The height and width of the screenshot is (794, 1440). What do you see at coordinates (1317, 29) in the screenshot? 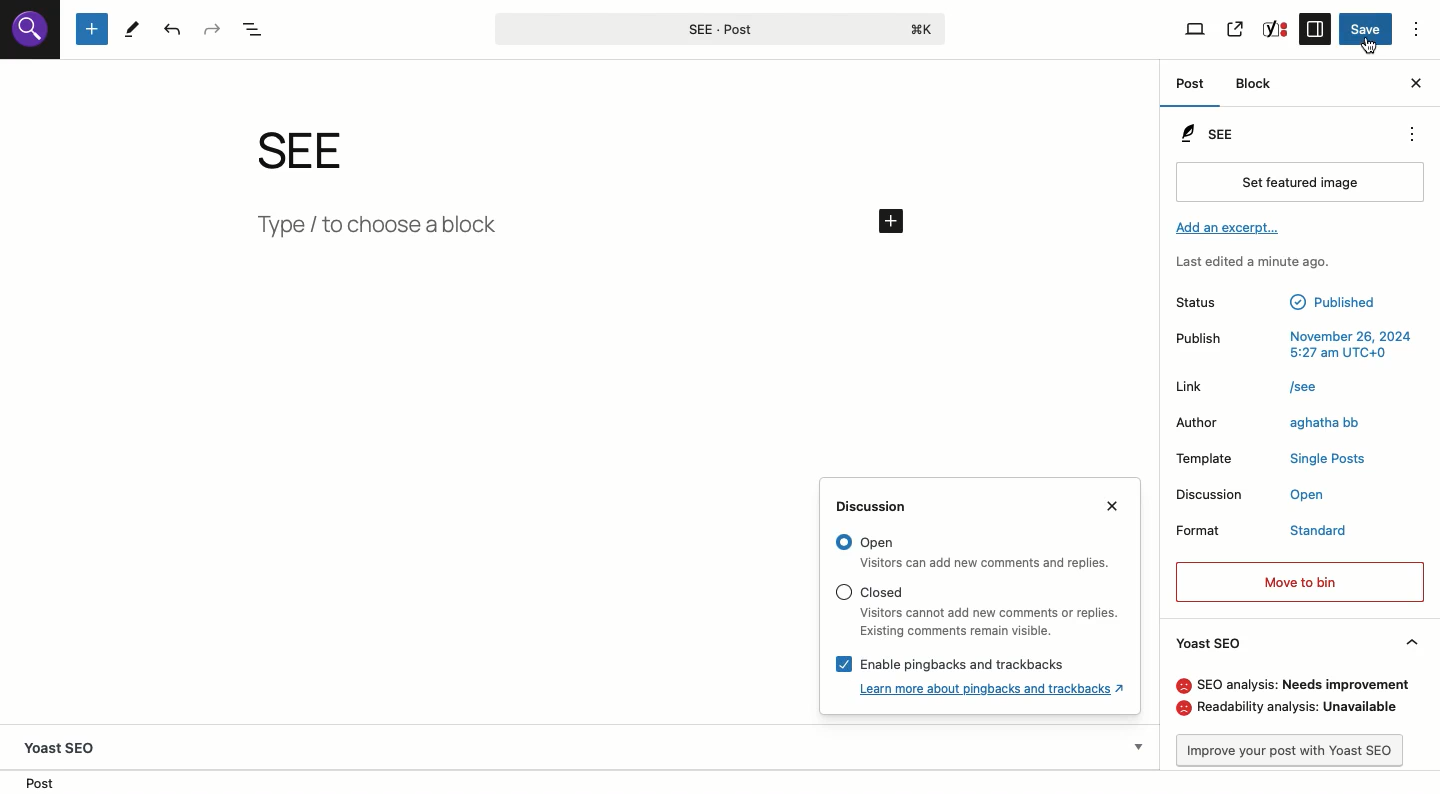
I see `Sidebar` at bounding box center [1317, 29].